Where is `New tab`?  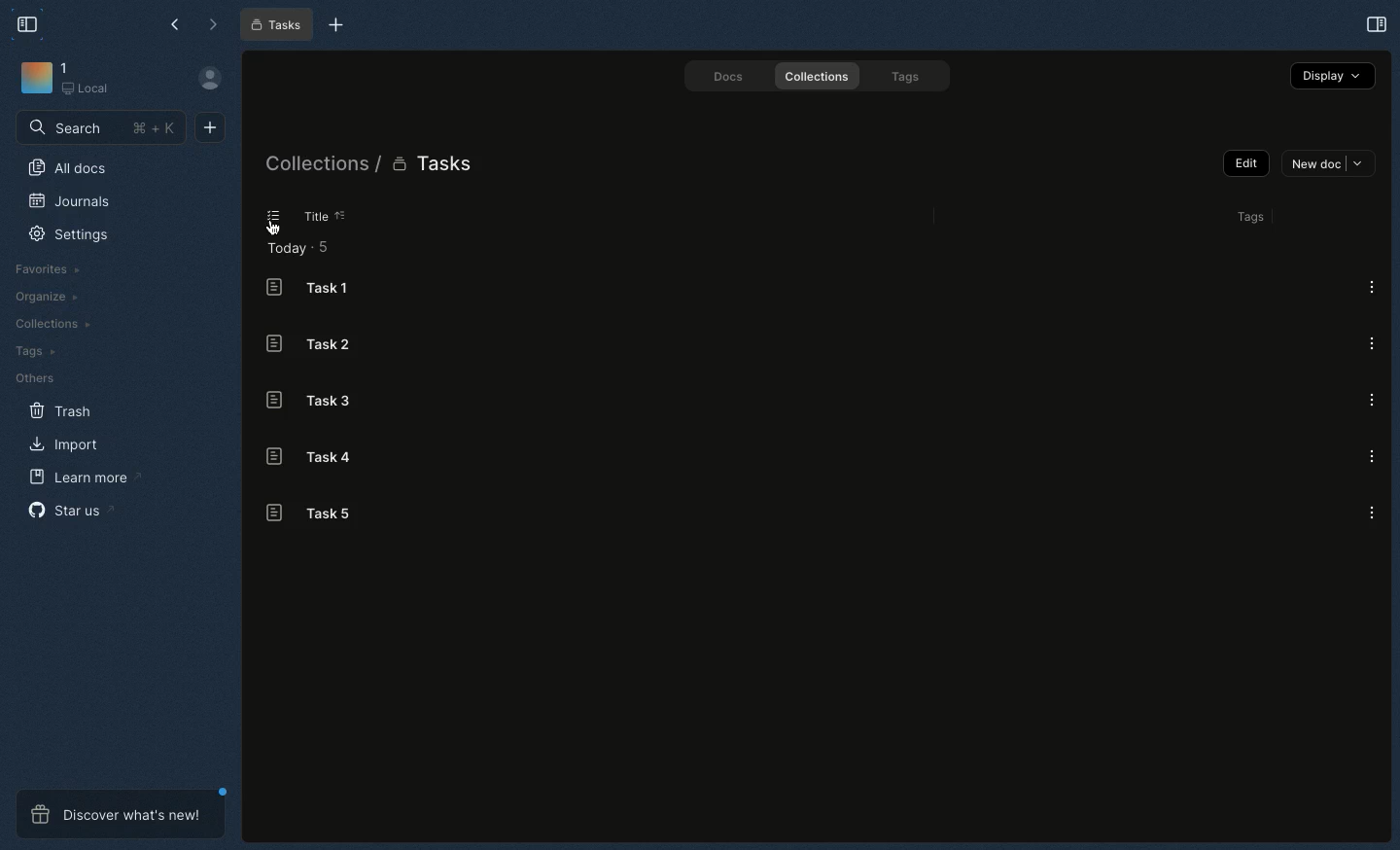 New tab is located at coordinates (336, 26).